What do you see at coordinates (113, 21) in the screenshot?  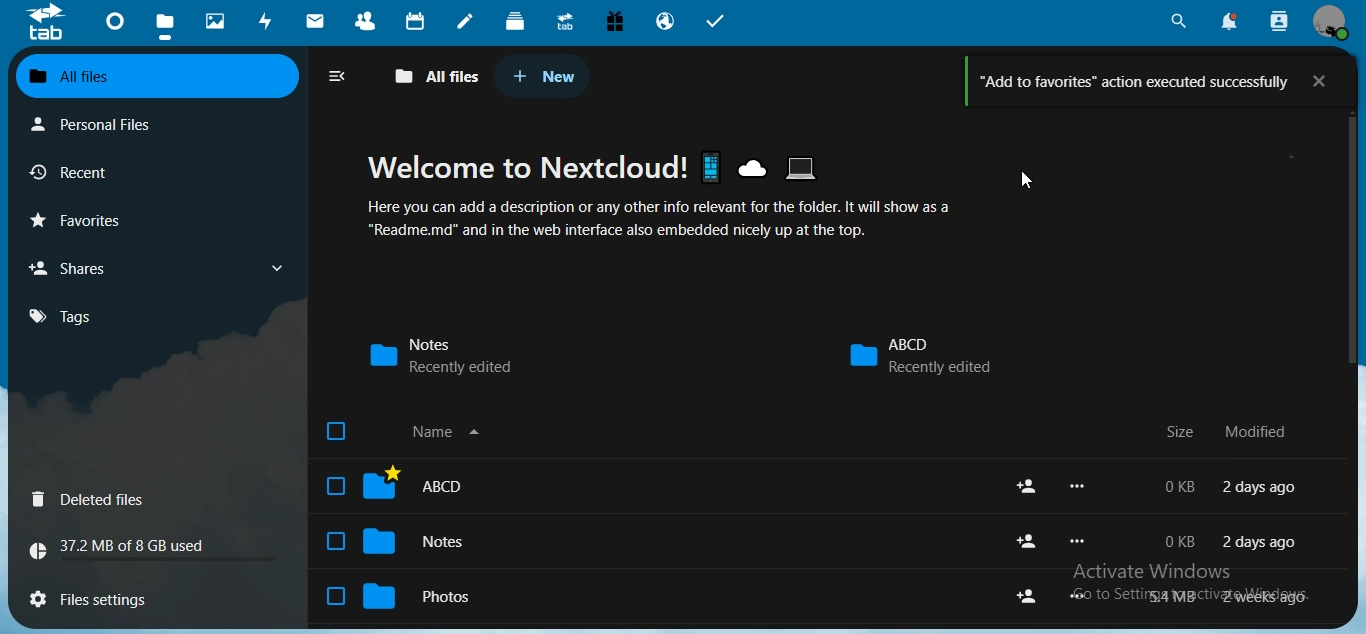 I see `dashboard` at bounding box center [113, 21].